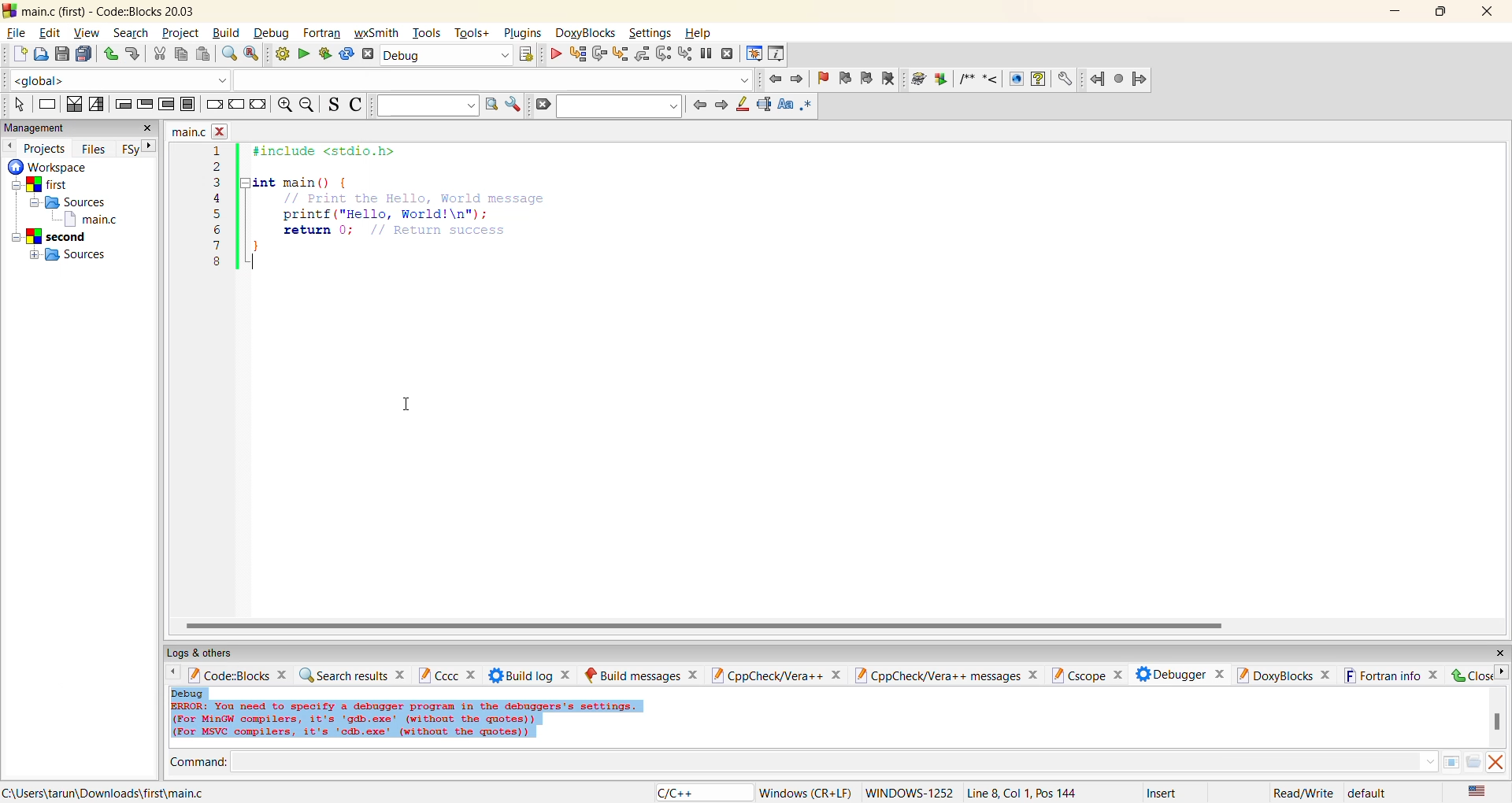  I want to click on search, so click(130, 32).